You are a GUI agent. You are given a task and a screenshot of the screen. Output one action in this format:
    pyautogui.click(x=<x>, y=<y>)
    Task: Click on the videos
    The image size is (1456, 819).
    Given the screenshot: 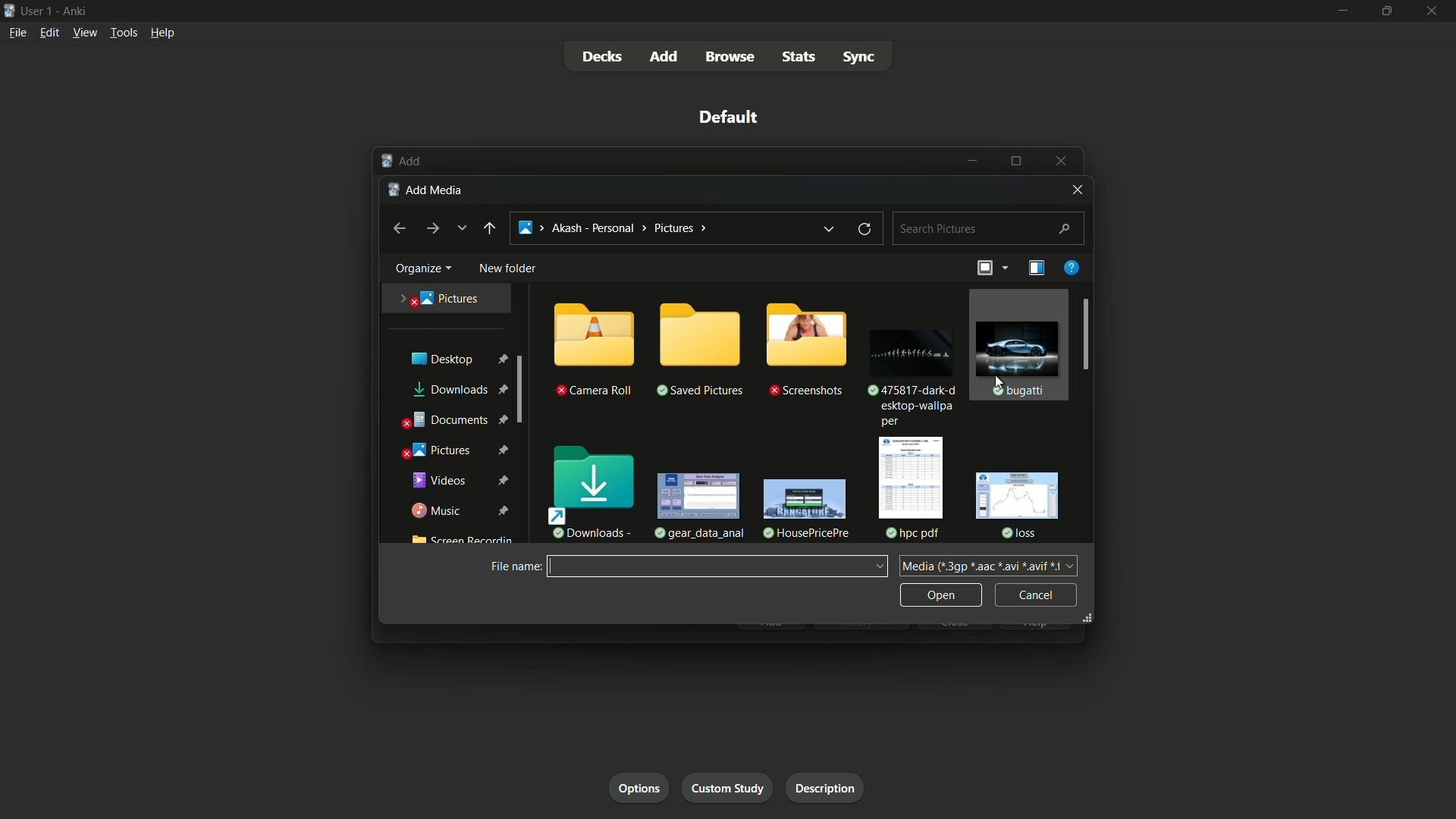 What is the action you would take?
    pyautogui.click(x=461, y=481)
    